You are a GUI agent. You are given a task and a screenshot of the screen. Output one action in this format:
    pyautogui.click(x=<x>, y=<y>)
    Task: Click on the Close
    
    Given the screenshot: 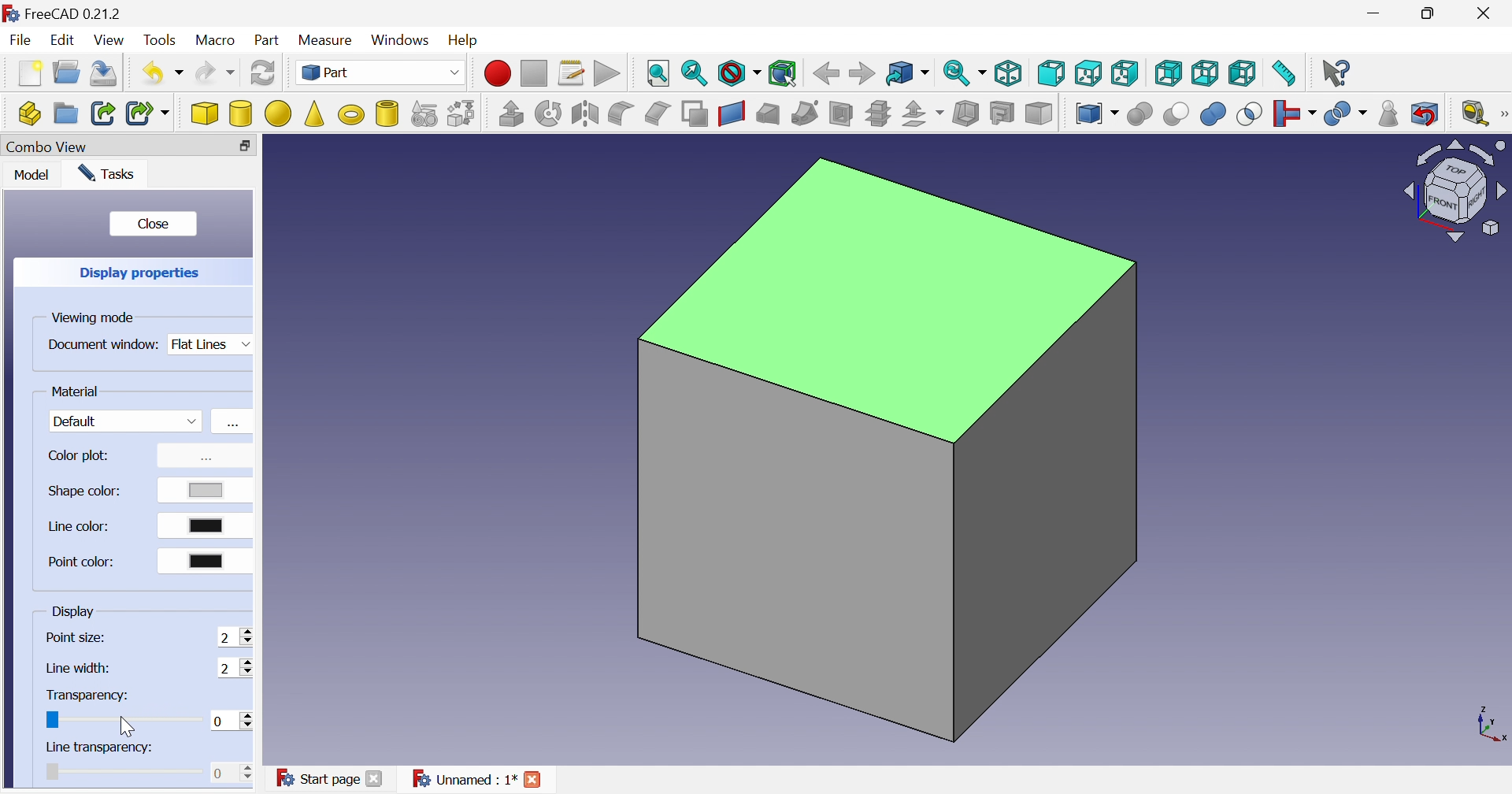 What is the action you would take?
    pyautogui.click(x=156, y=223)
    